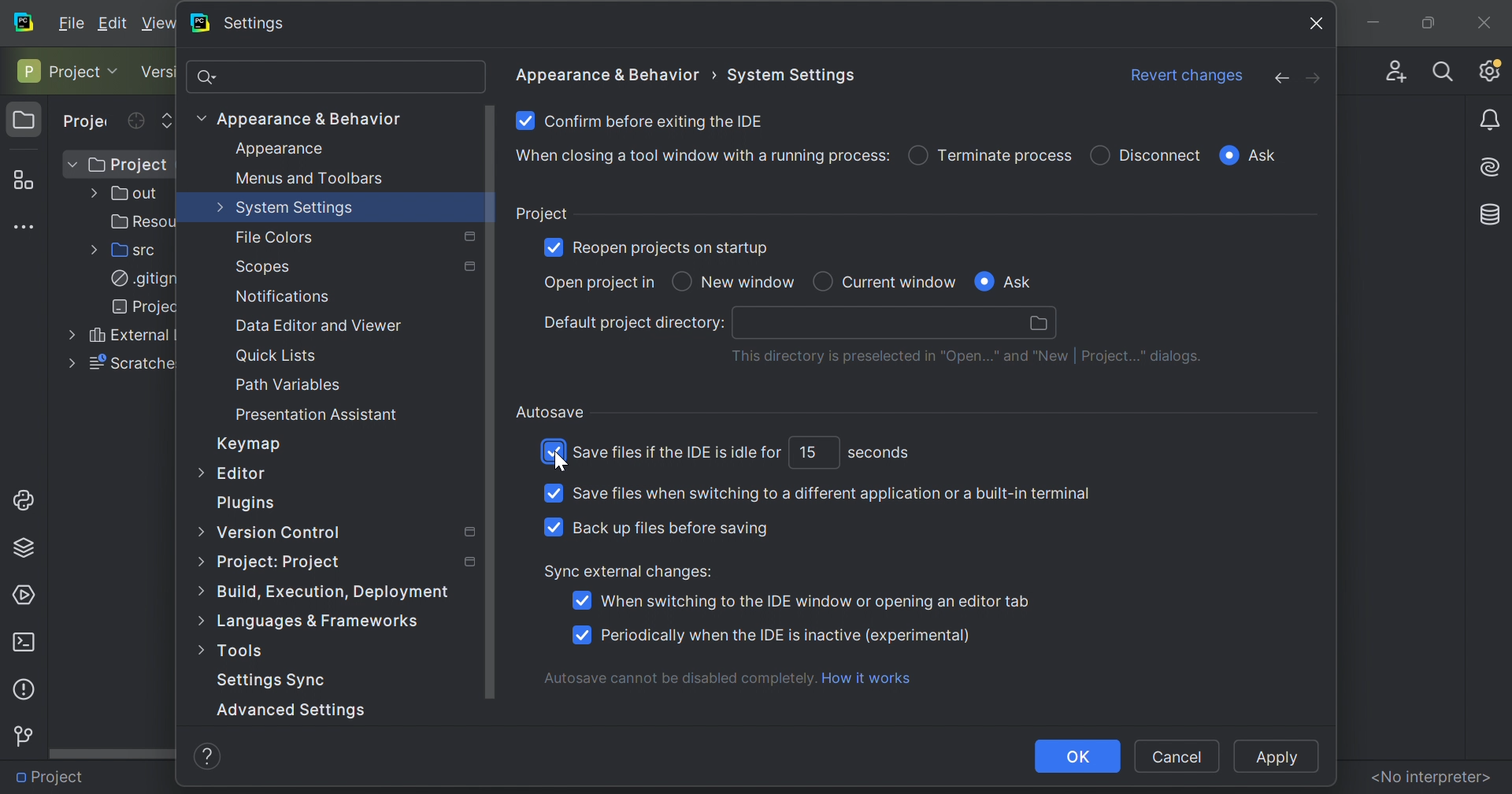 This screenshot has width=1512, height=794. What do you see at coordinates (201, 624) in the screenshot?
I see `More` at bounding box center [201, 624].